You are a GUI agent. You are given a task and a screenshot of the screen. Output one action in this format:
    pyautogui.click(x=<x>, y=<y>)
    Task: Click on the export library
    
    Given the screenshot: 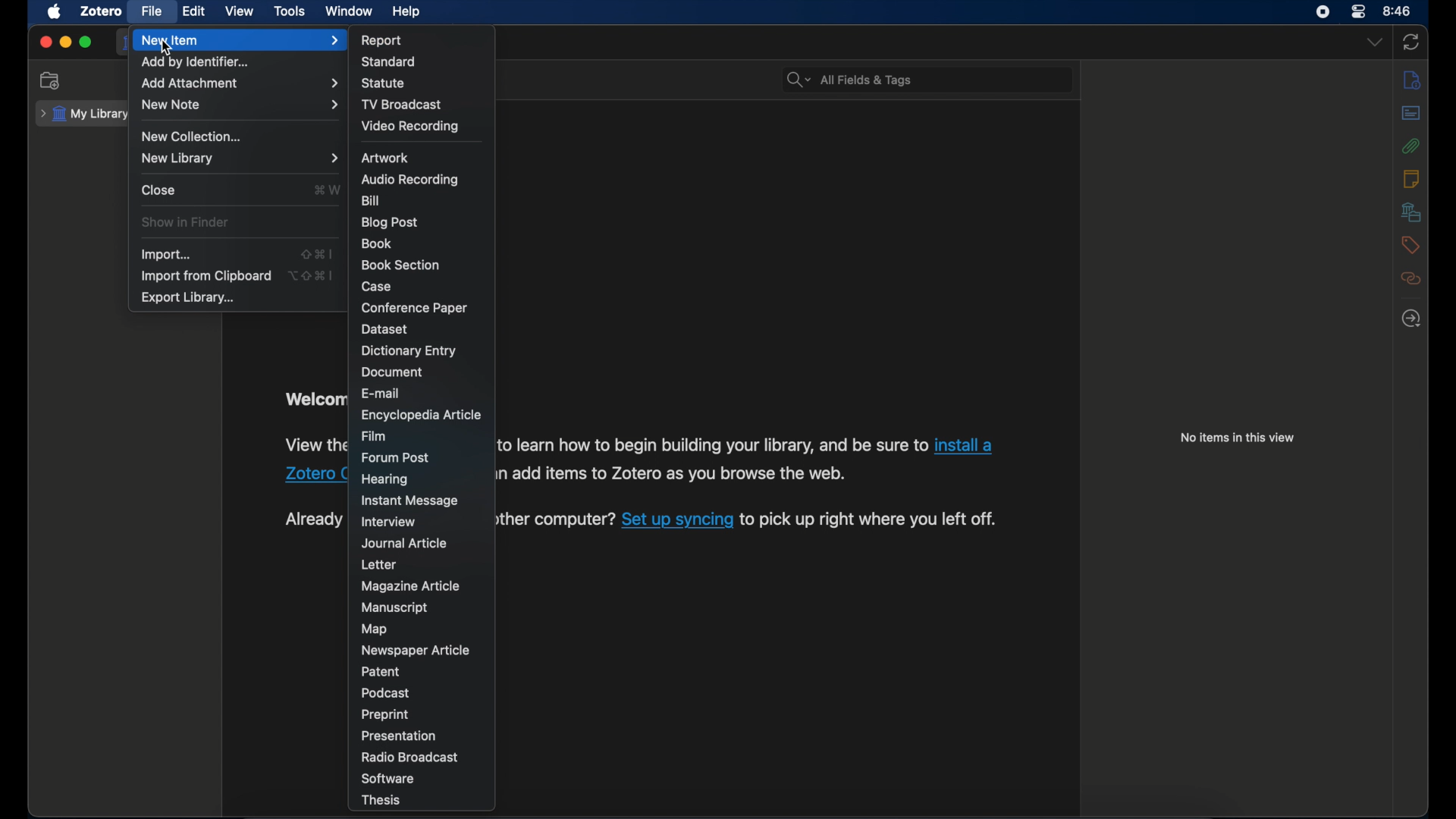 What is the action you would take?
    pyautogui.click(x=188, y=298)
    